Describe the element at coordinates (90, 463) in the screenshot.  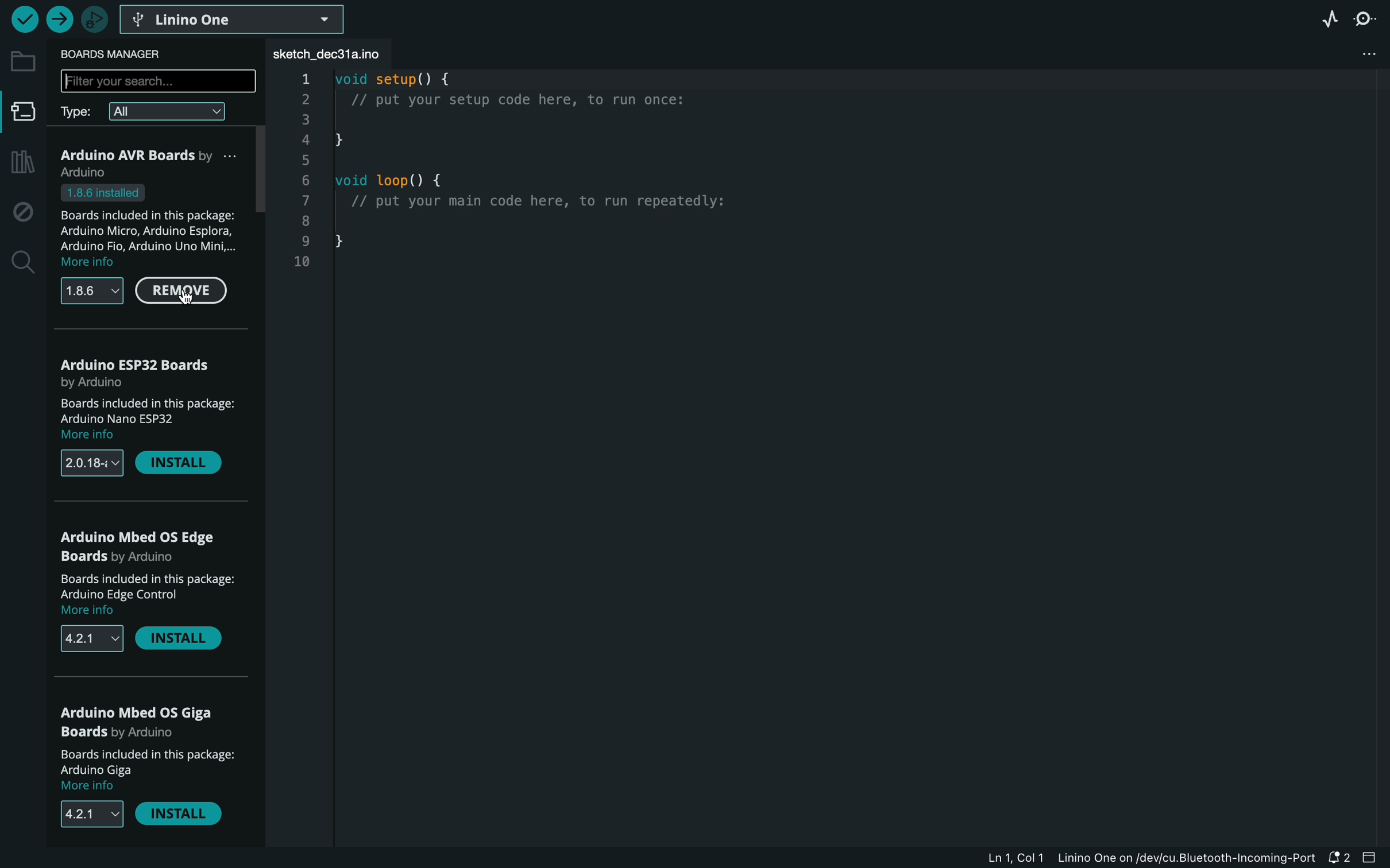
I see `versions` at that location.